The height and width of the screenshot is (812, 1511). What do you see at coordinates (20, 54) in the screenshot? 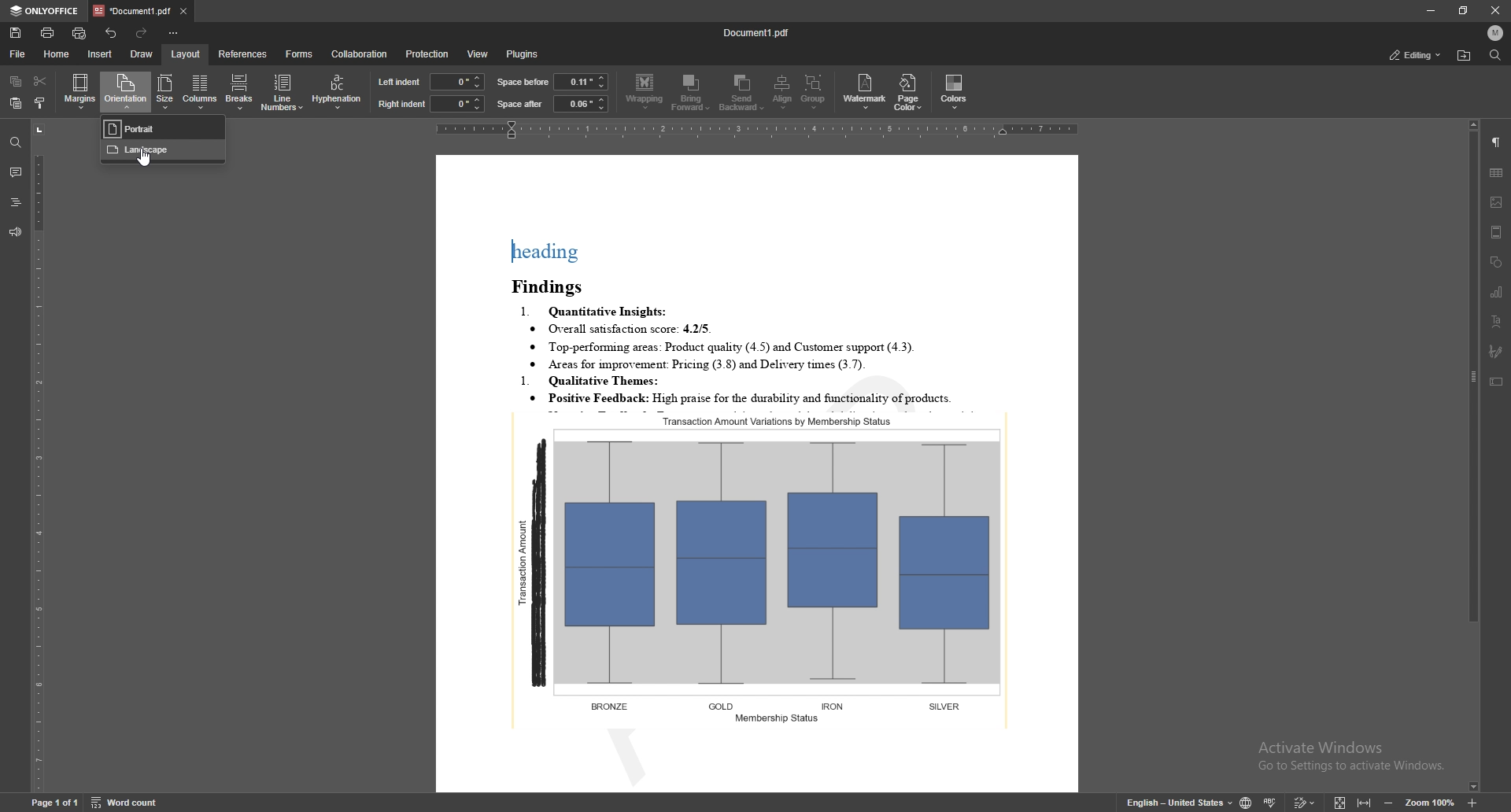
I see `file` at bounding box center [20, 54].